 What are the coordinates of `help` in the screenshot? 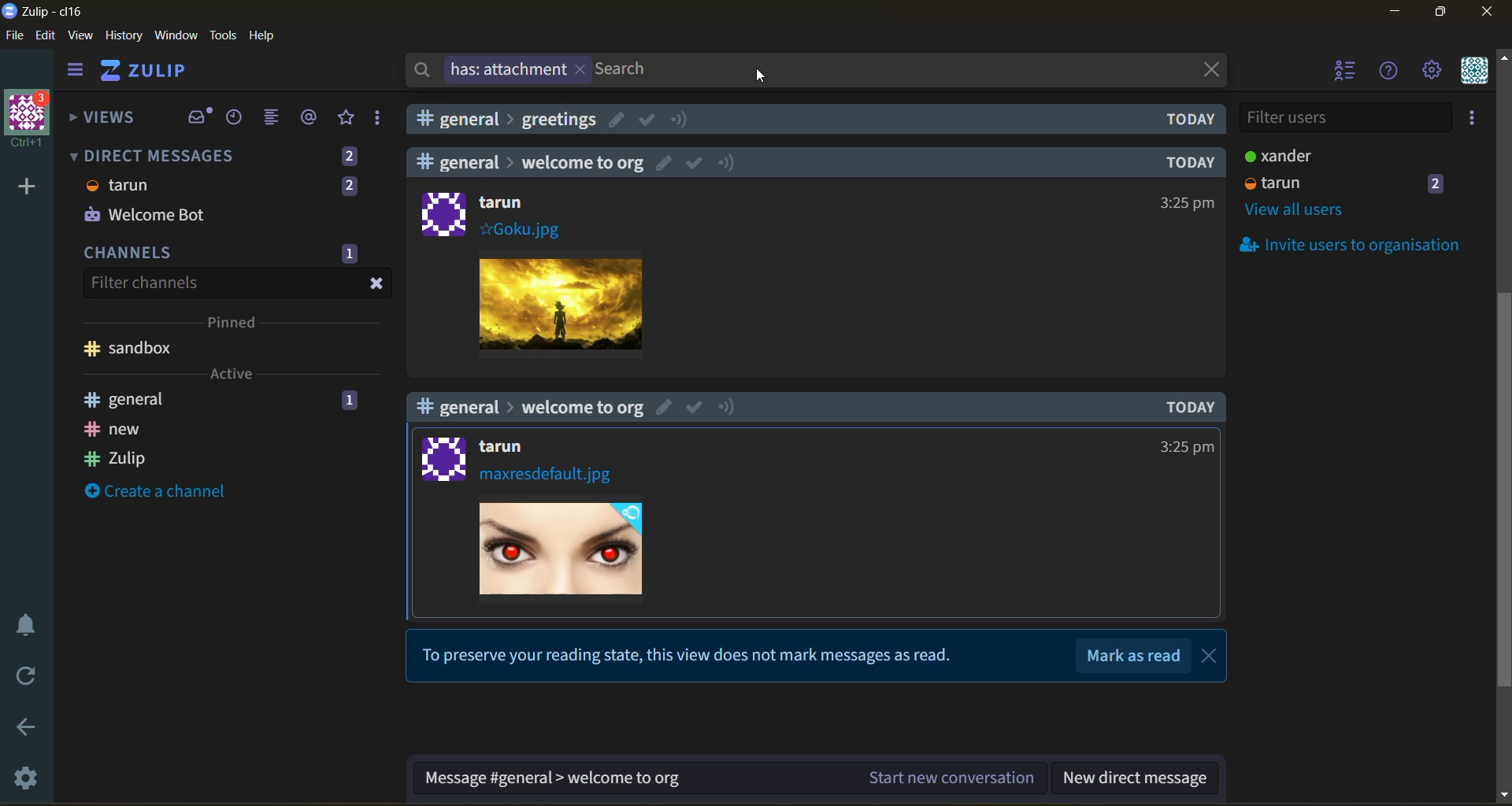 It's located at (1389, 72).